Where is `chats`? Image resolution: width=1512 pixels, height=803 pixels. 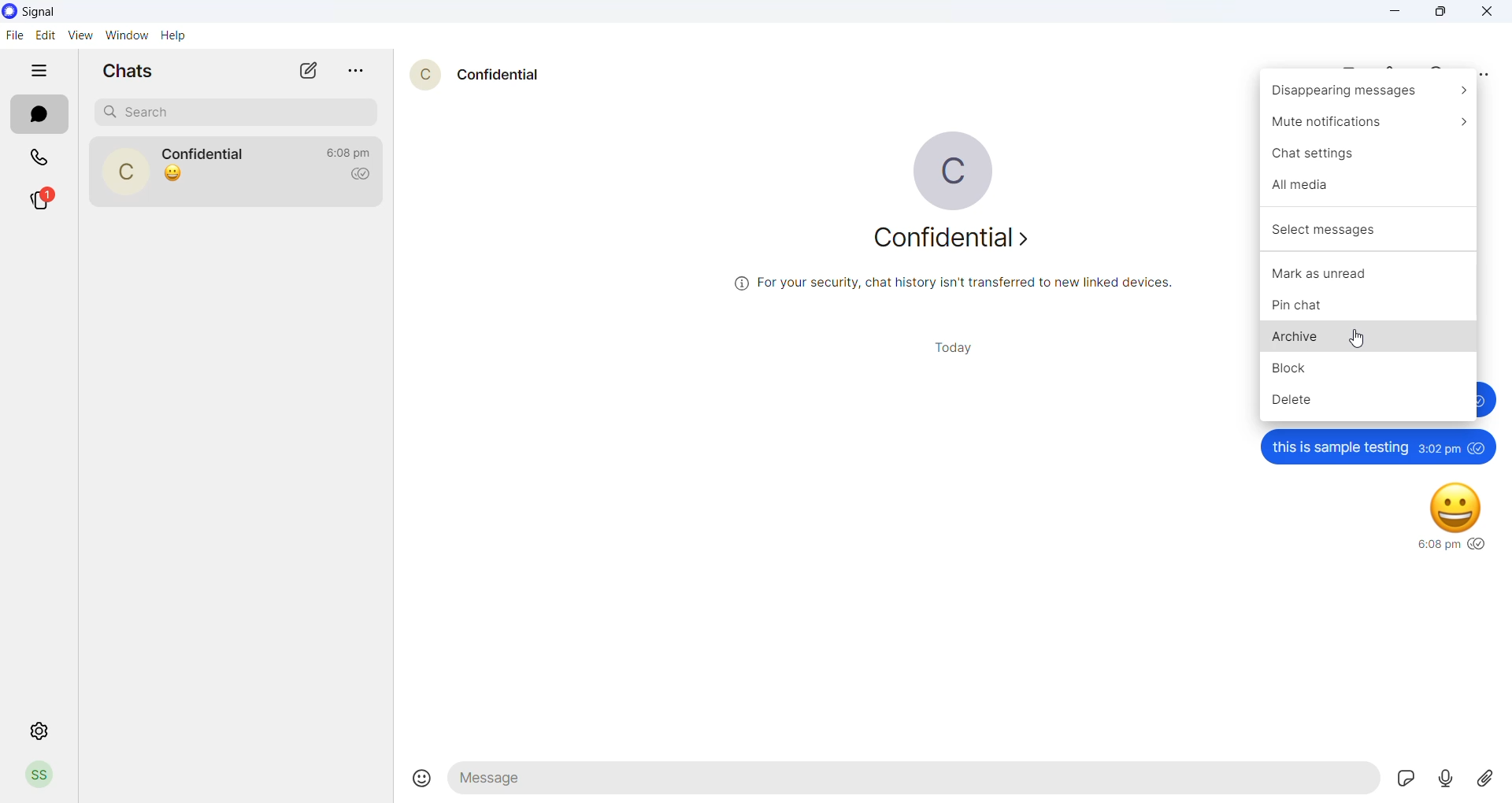
chats is located at coordinates (39, 114).